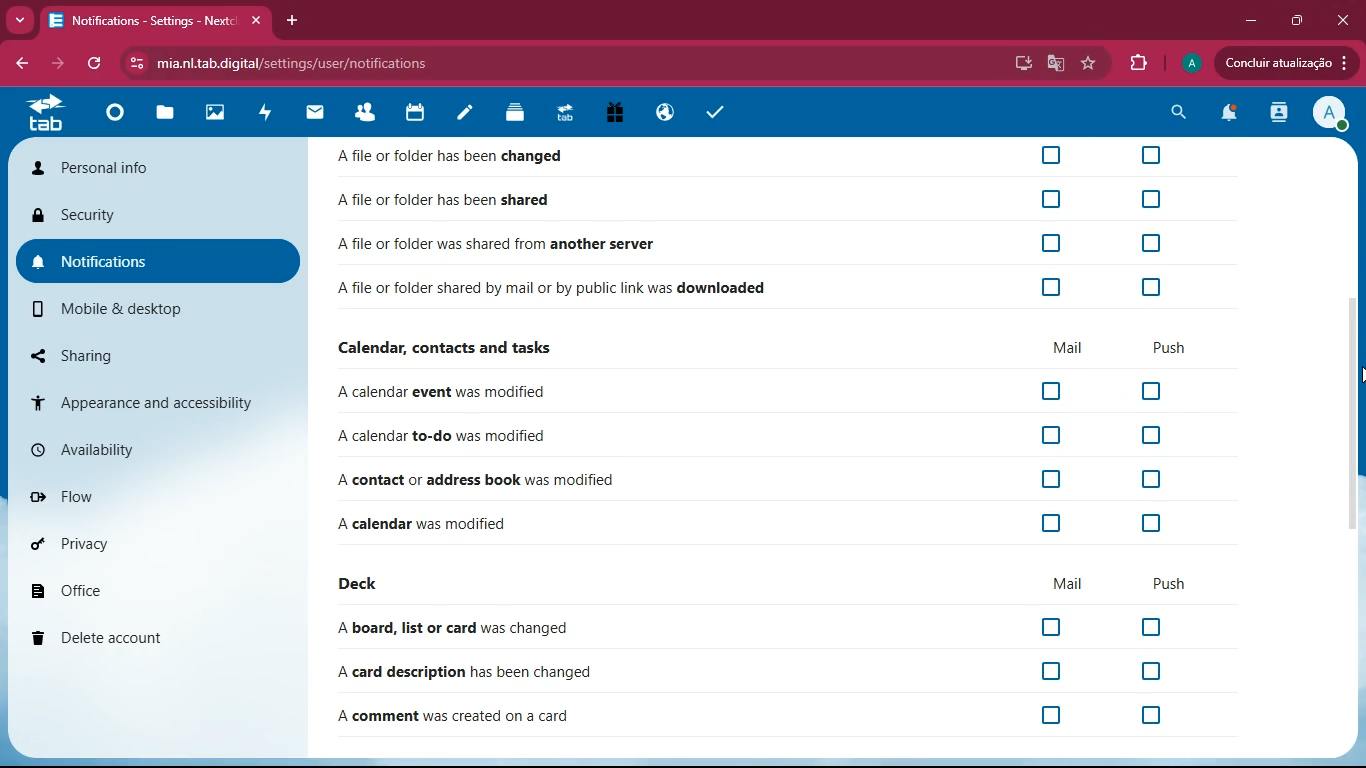 The image size is (1366, 768). I want to click on files, so click(167, 115).